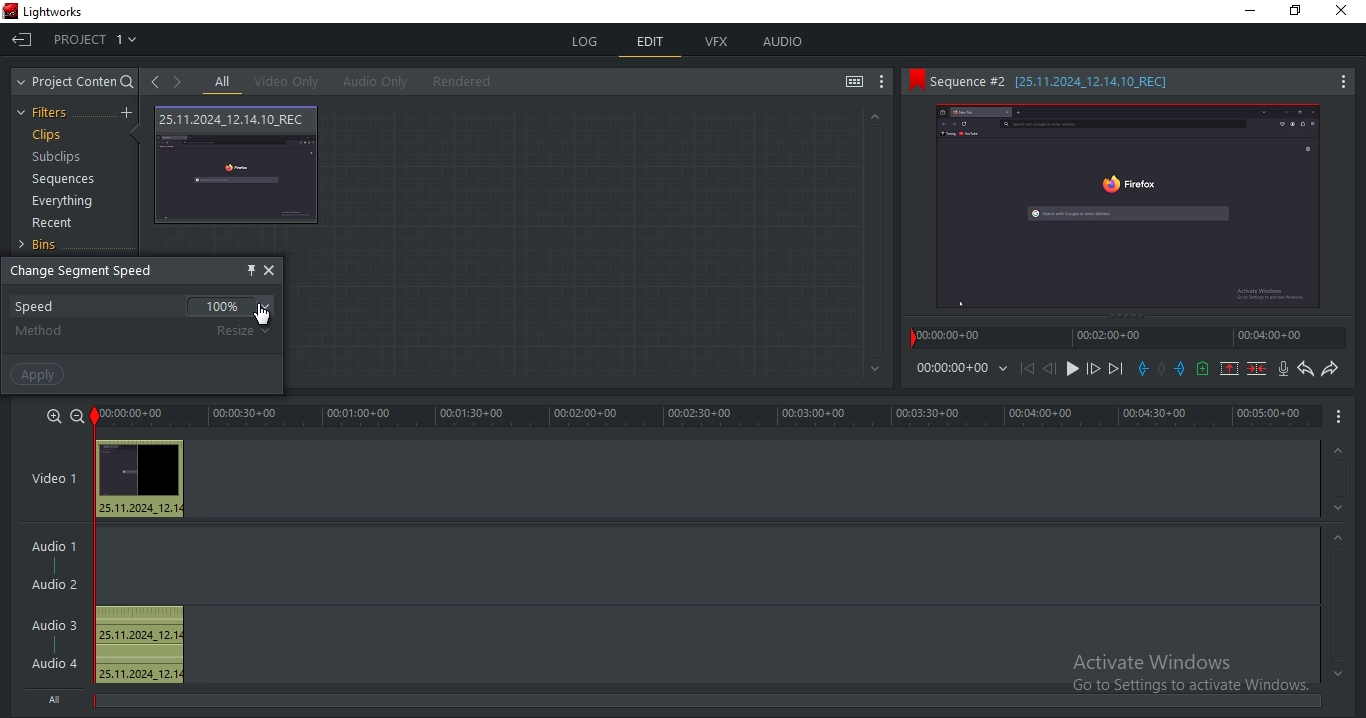 Image resolution: width=1366 pixels, height=718 pixels. I want to click on zoom out, so click(75, 415).